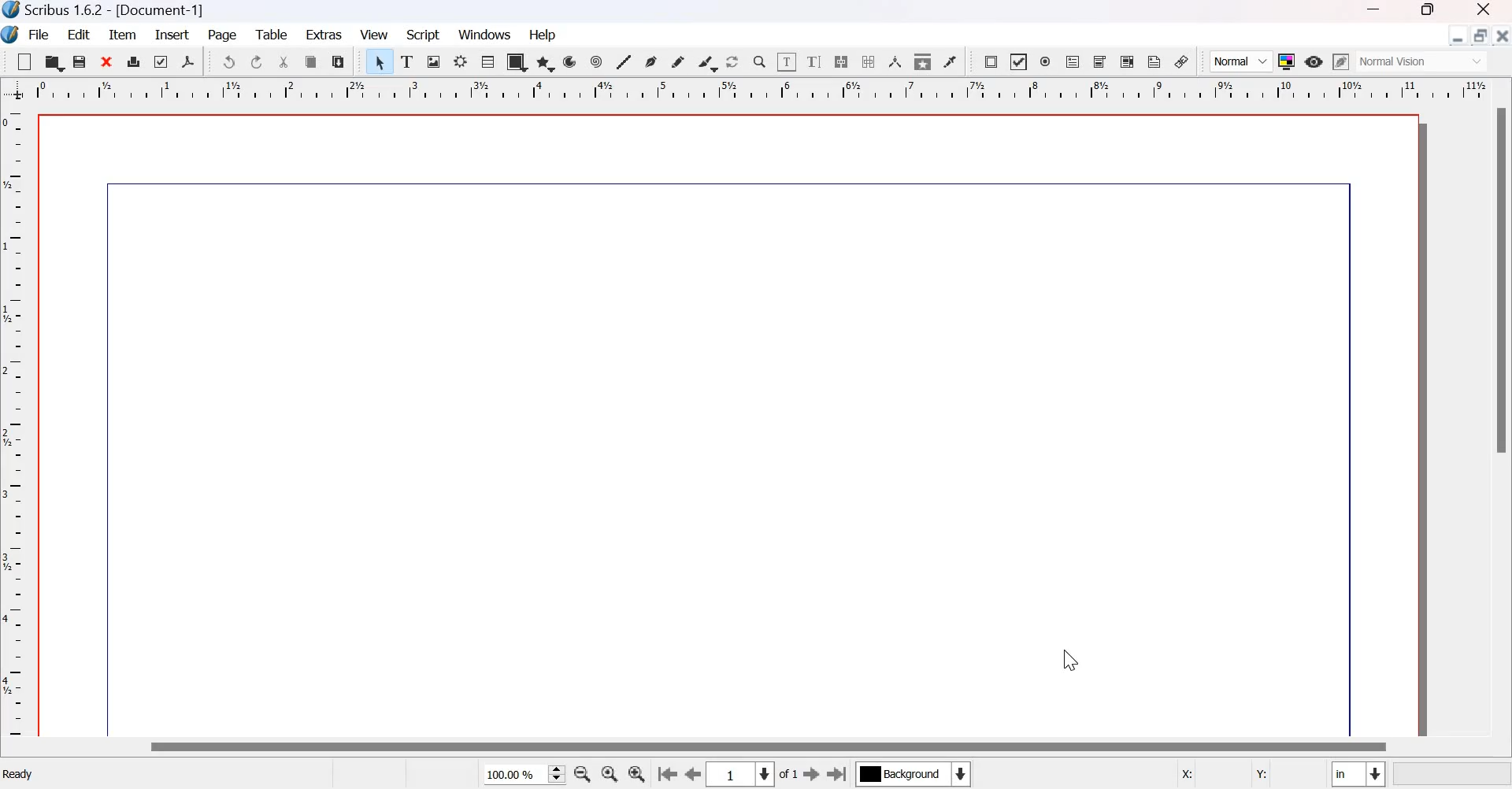 The height and width of the screenshot is (789, 1512). Describe the element at coordinates (693, 775) in the screenshot. I see `go to the previous page` at that location.